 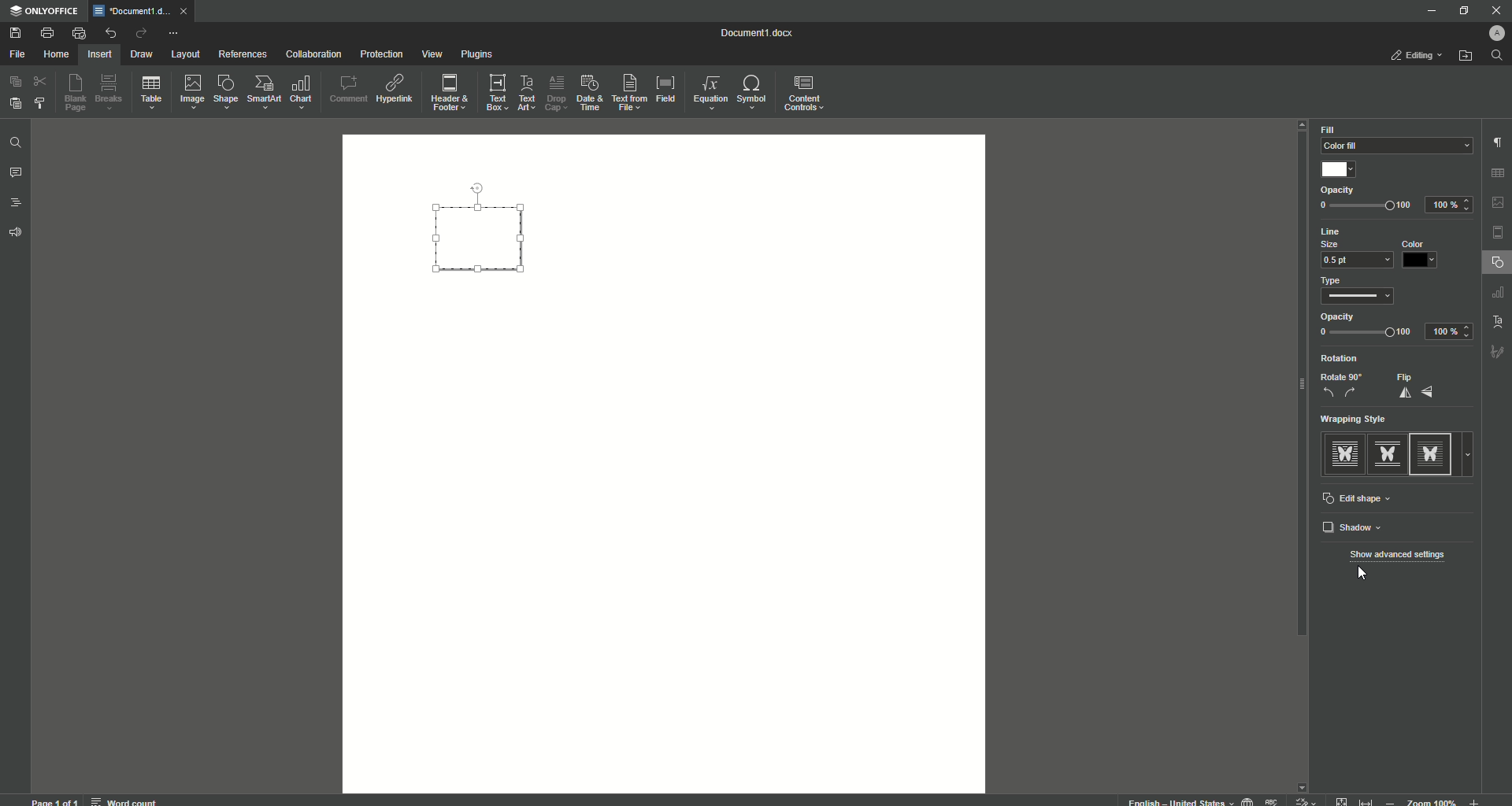 What do you see at coordinates (109, 93) in the screenshot?
I see `Breaks` at bounding box center [109, 93].